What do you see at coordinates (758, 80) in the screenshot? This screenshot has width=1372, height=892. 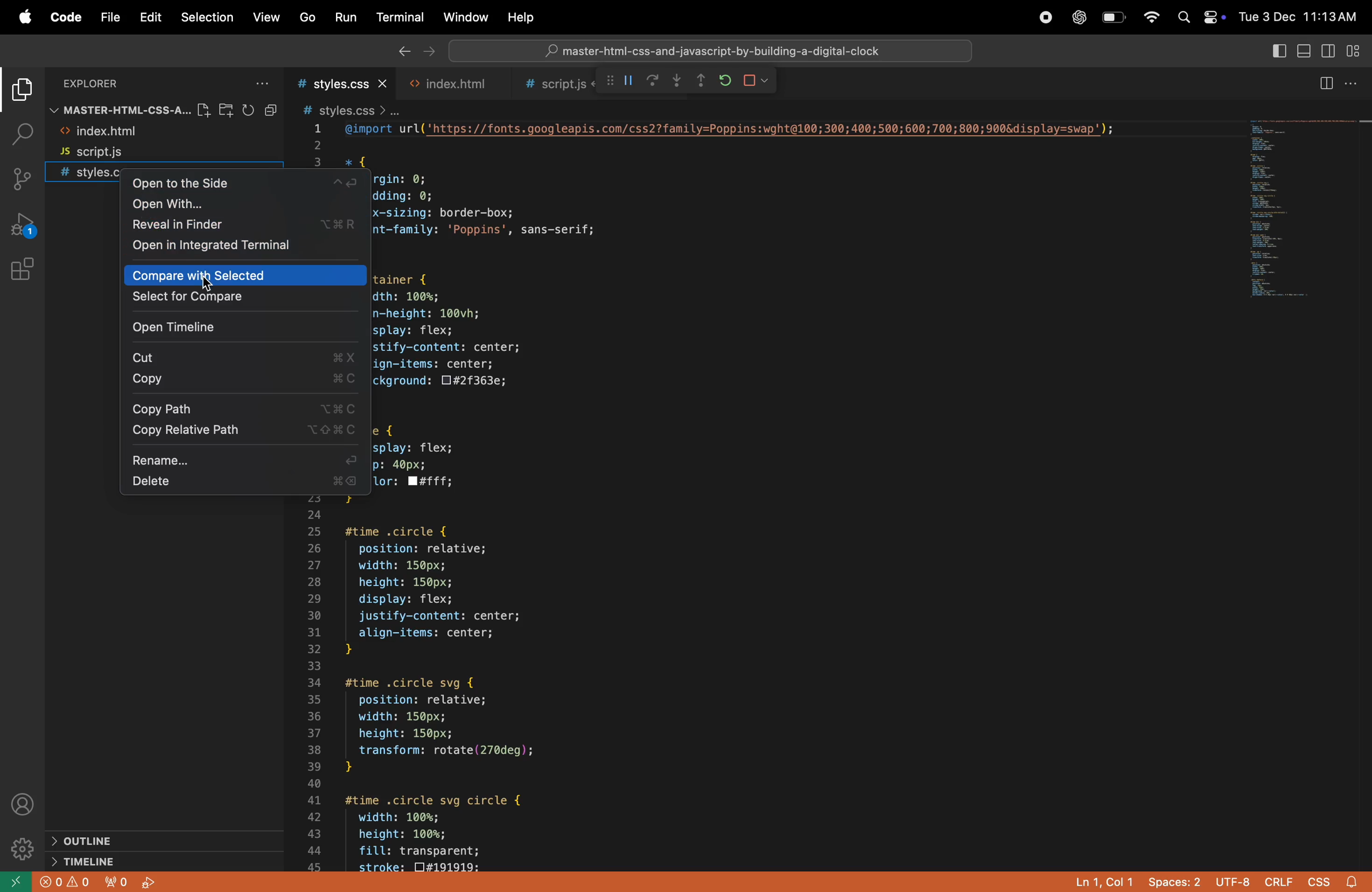 I see `stop` at bounding box center [758, 80].